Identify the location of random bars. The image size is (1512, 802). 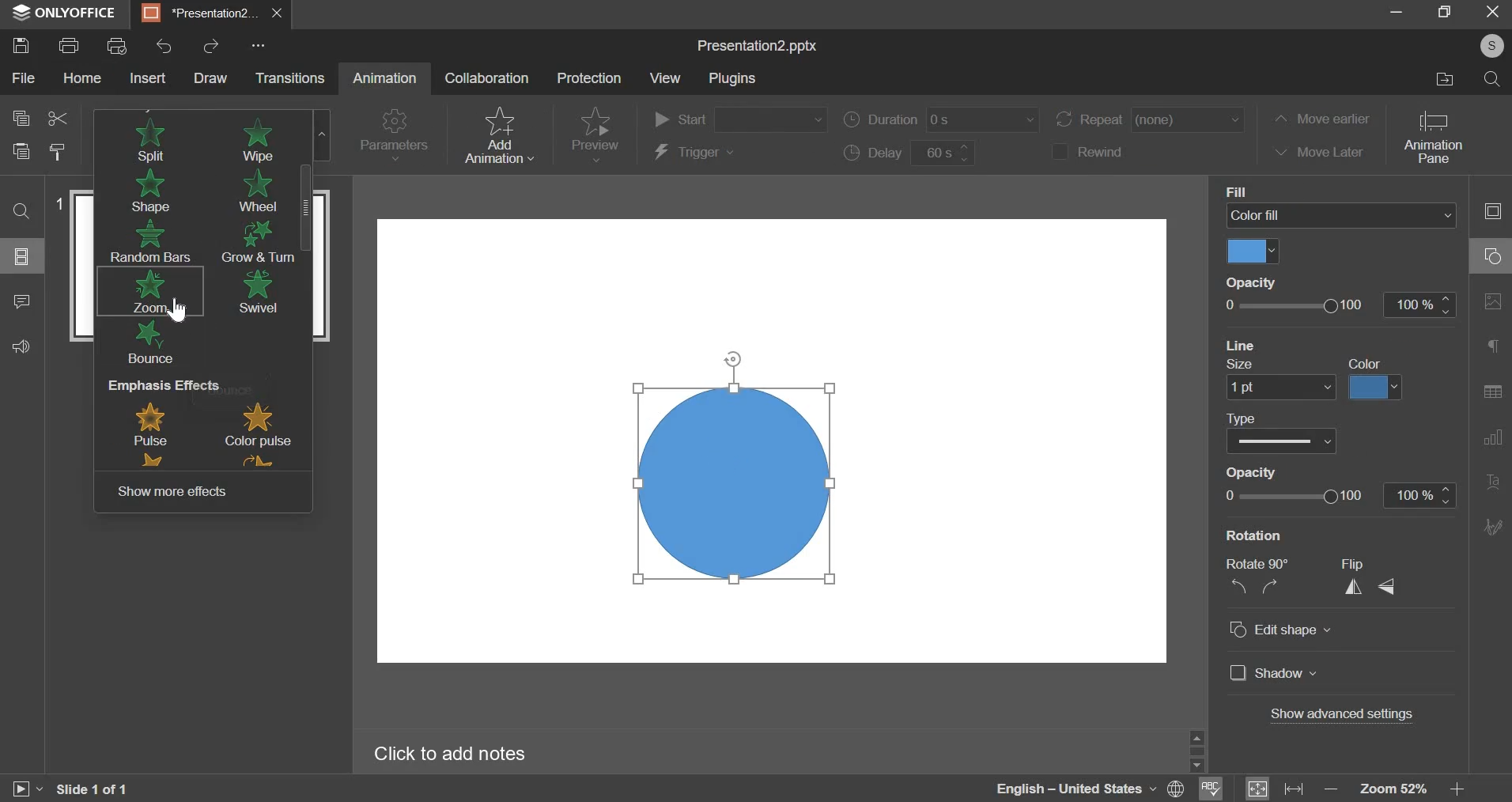
(149, 240).